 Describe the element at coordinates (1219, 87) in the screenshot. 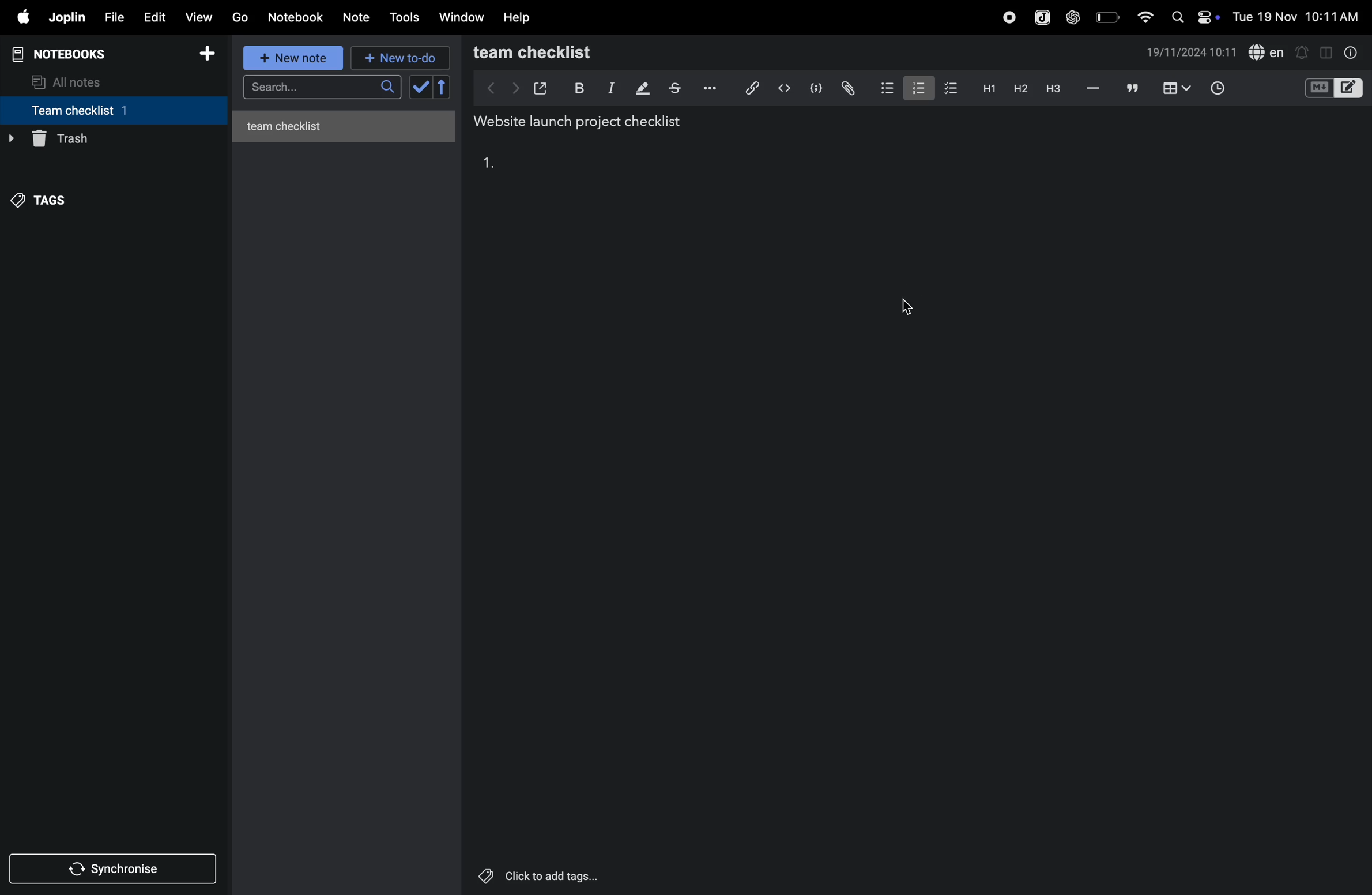

I see `time` at that location.